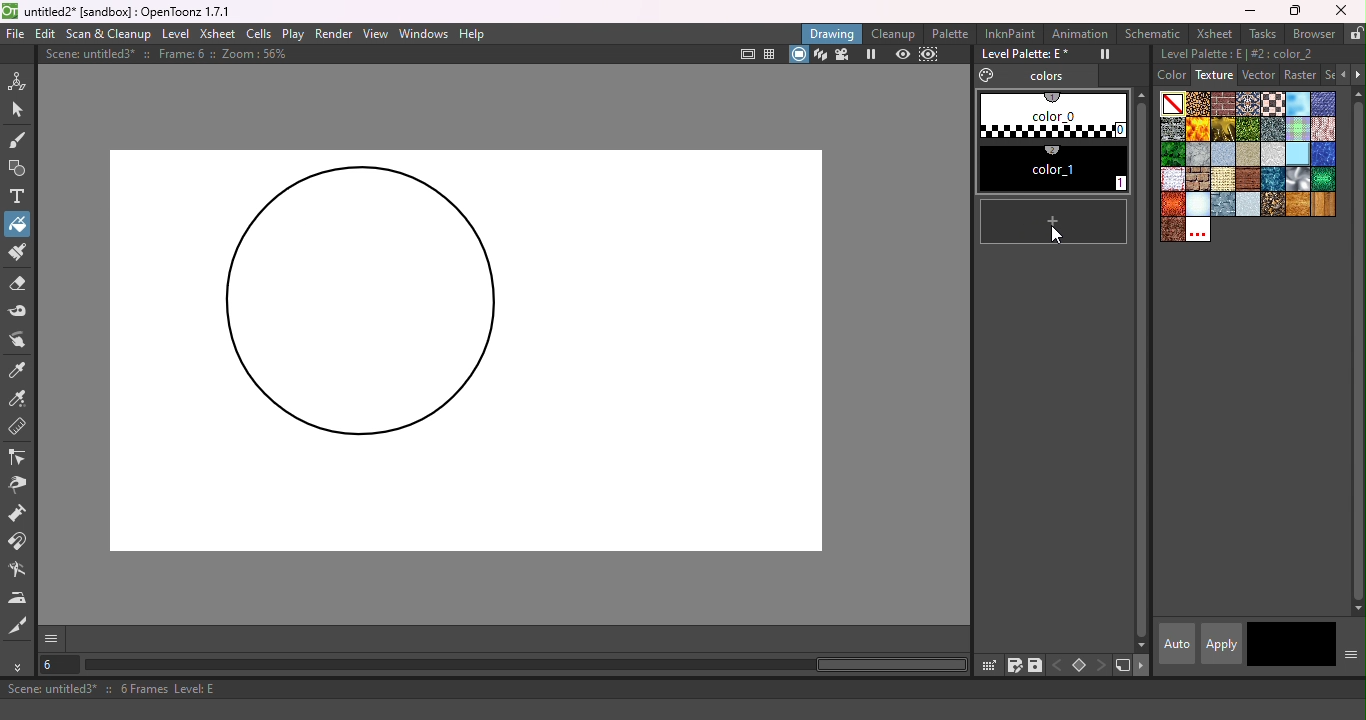 The image size is (1366, 720). What do you see at coordinates (929, 54) in the screenshot?
I see `sub-camera preview` at bounding box center [929, 54].